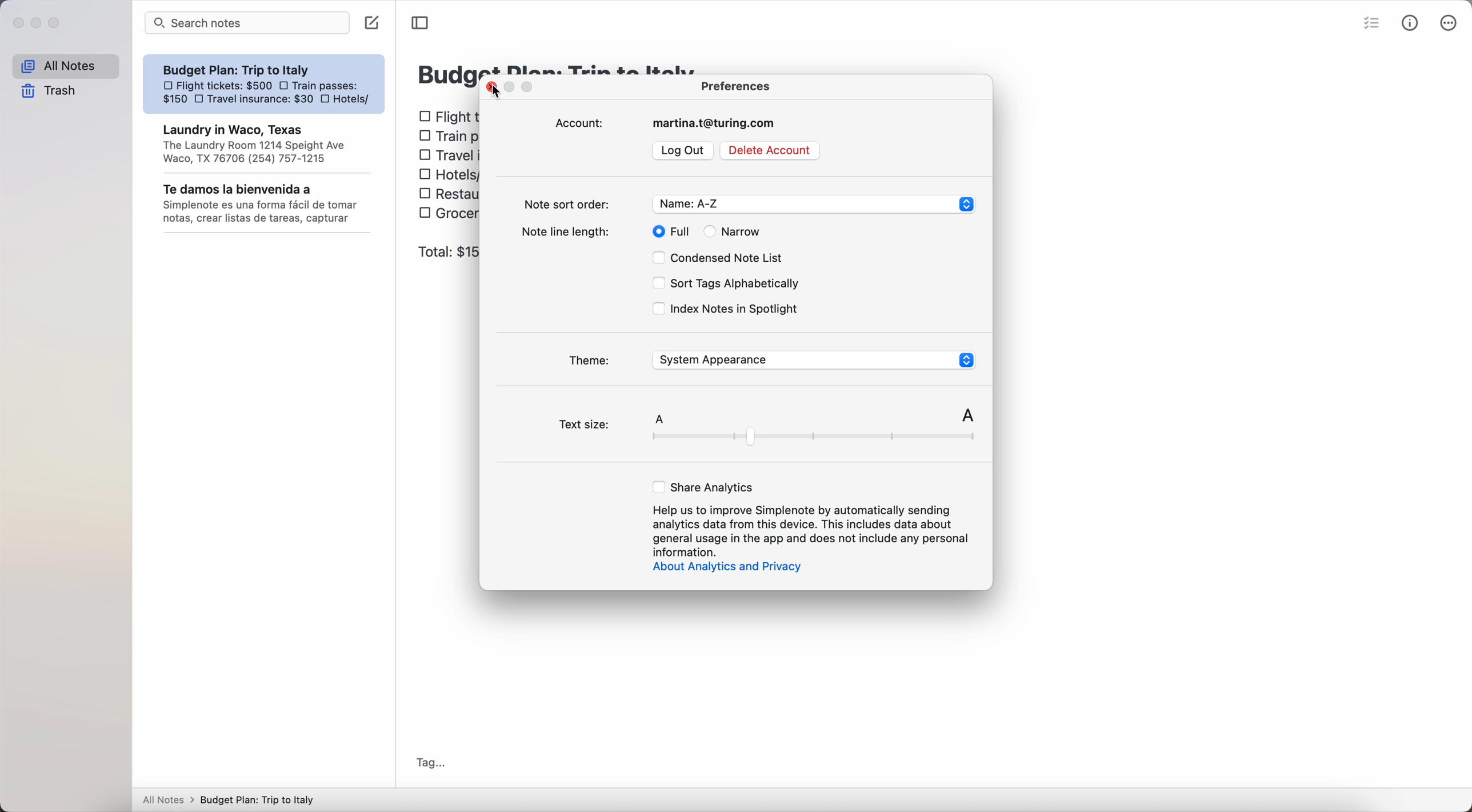 This screenshot has width=1472, height=812. I want to click on search bar, so click(247, 23).